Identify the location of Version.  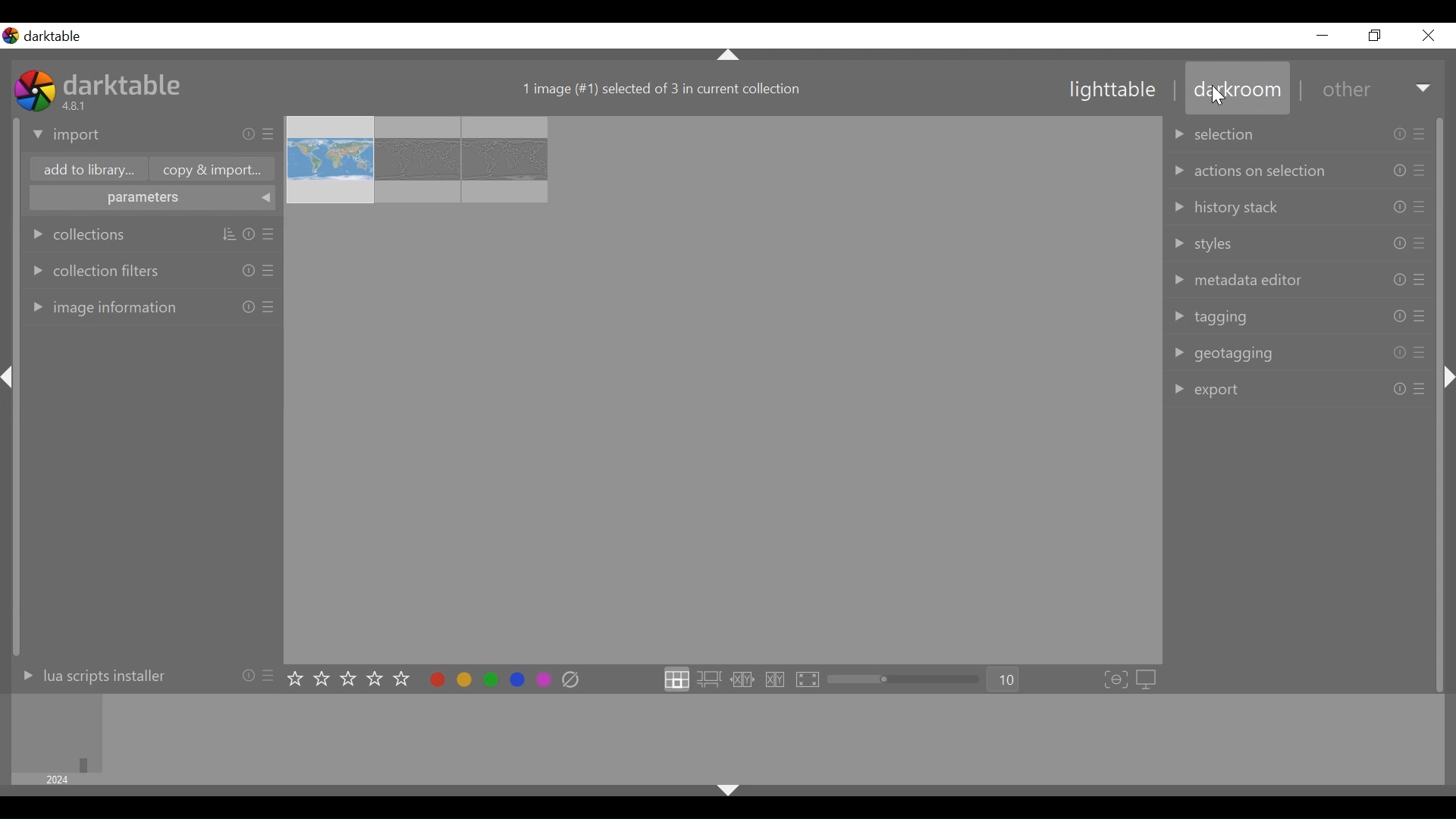
(78, 107).